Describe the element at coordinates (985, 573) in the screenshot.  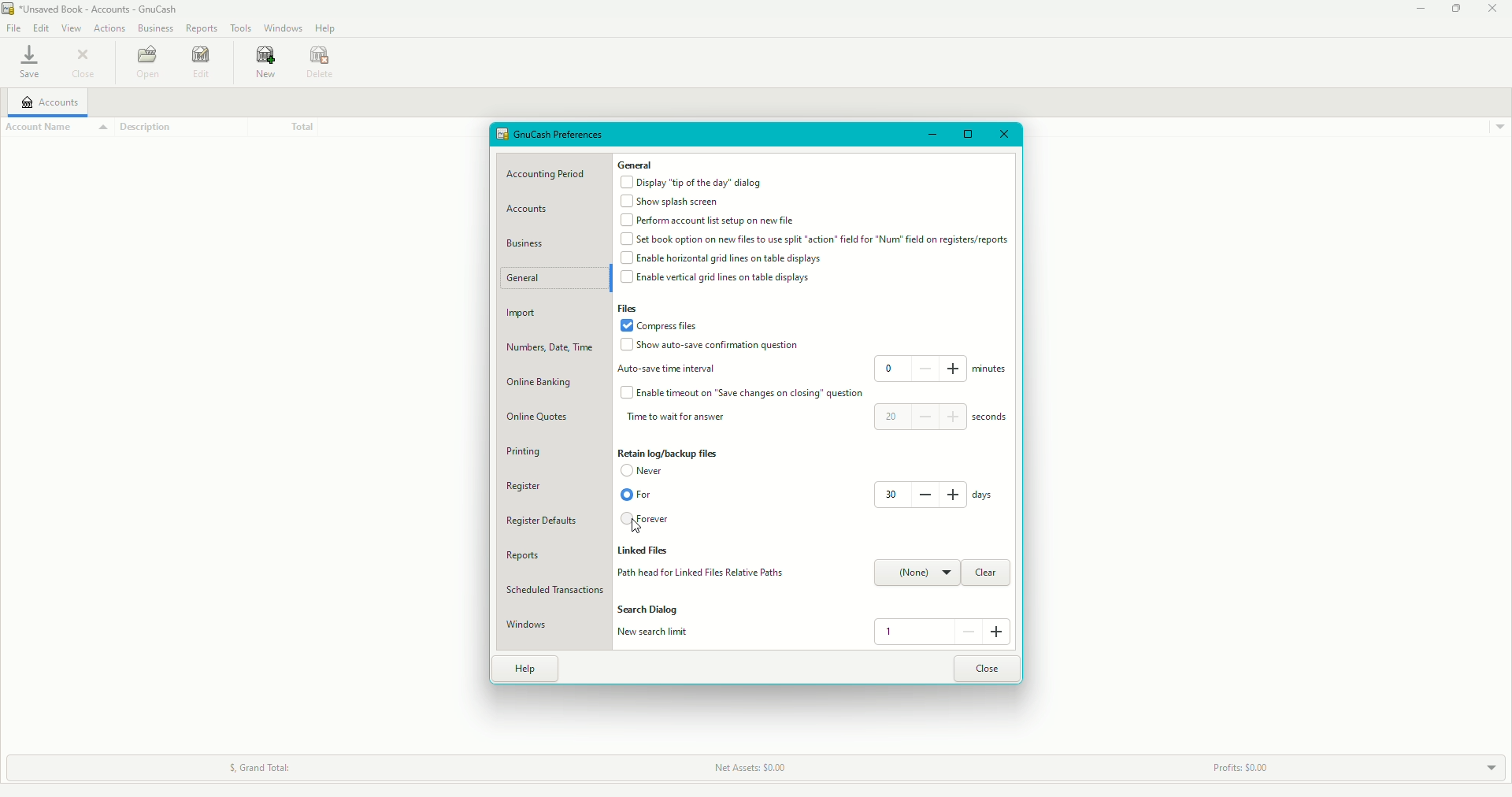
I see `Clear` at that location.